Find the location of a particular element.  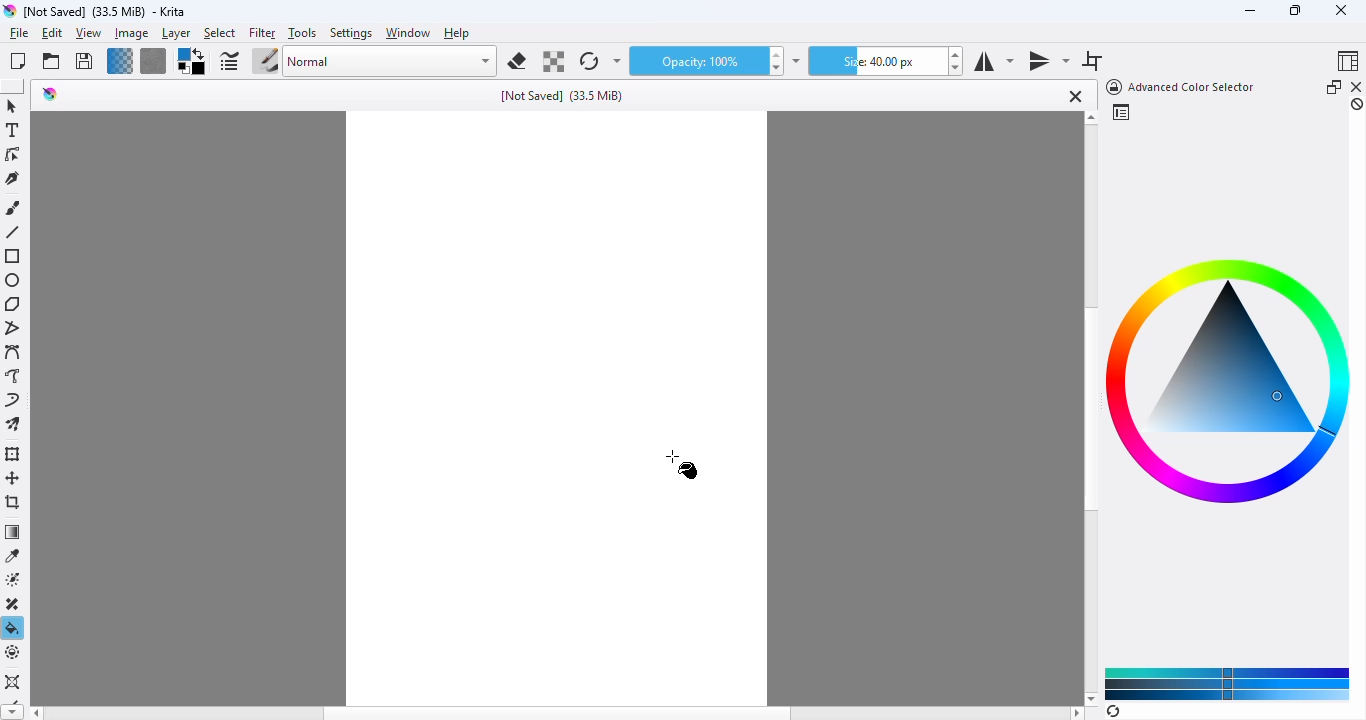

settings is located at coordinates (352, 34).